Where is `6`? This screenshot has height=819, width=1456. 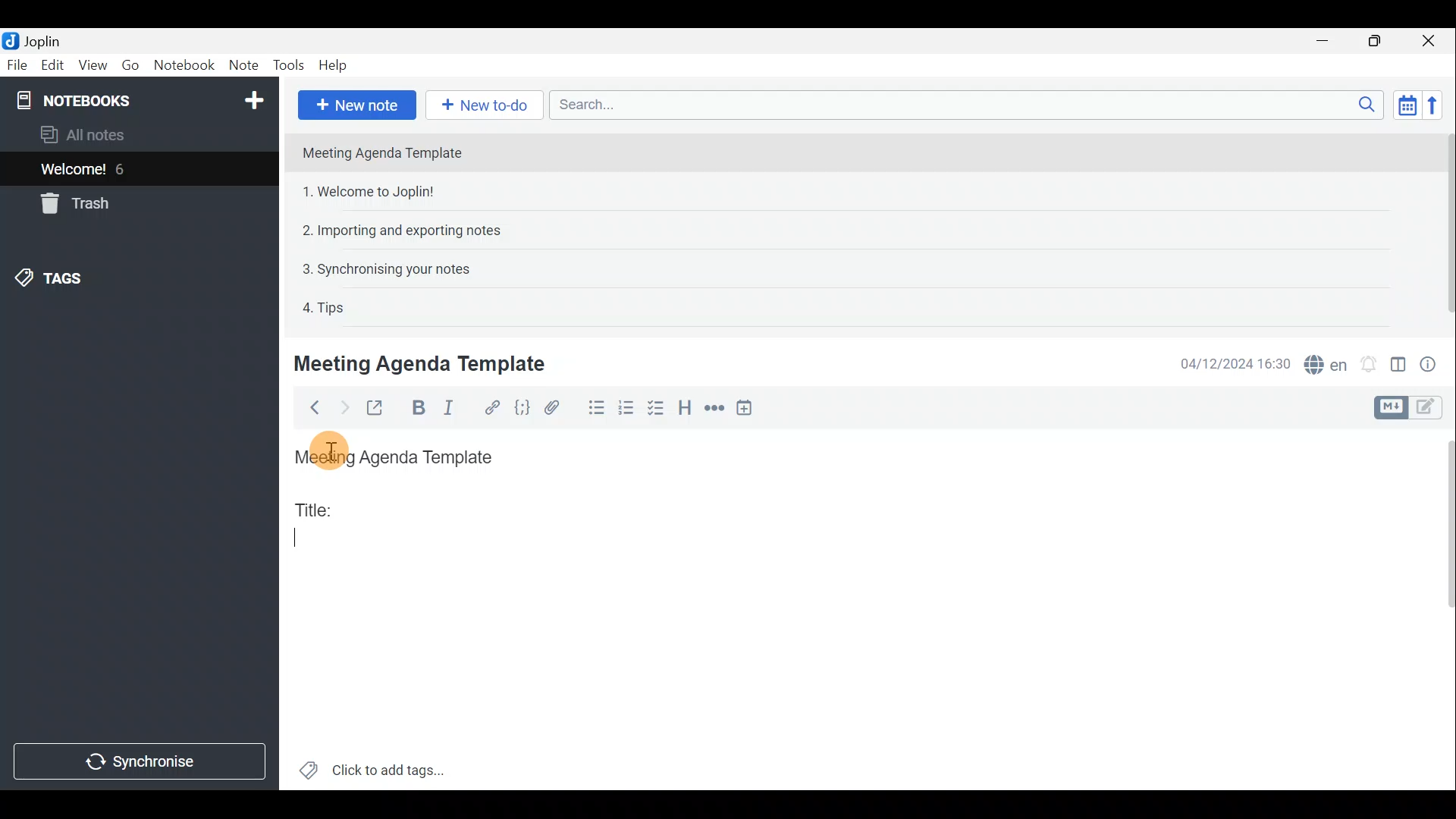
6 is located at coordinates (124, 169).